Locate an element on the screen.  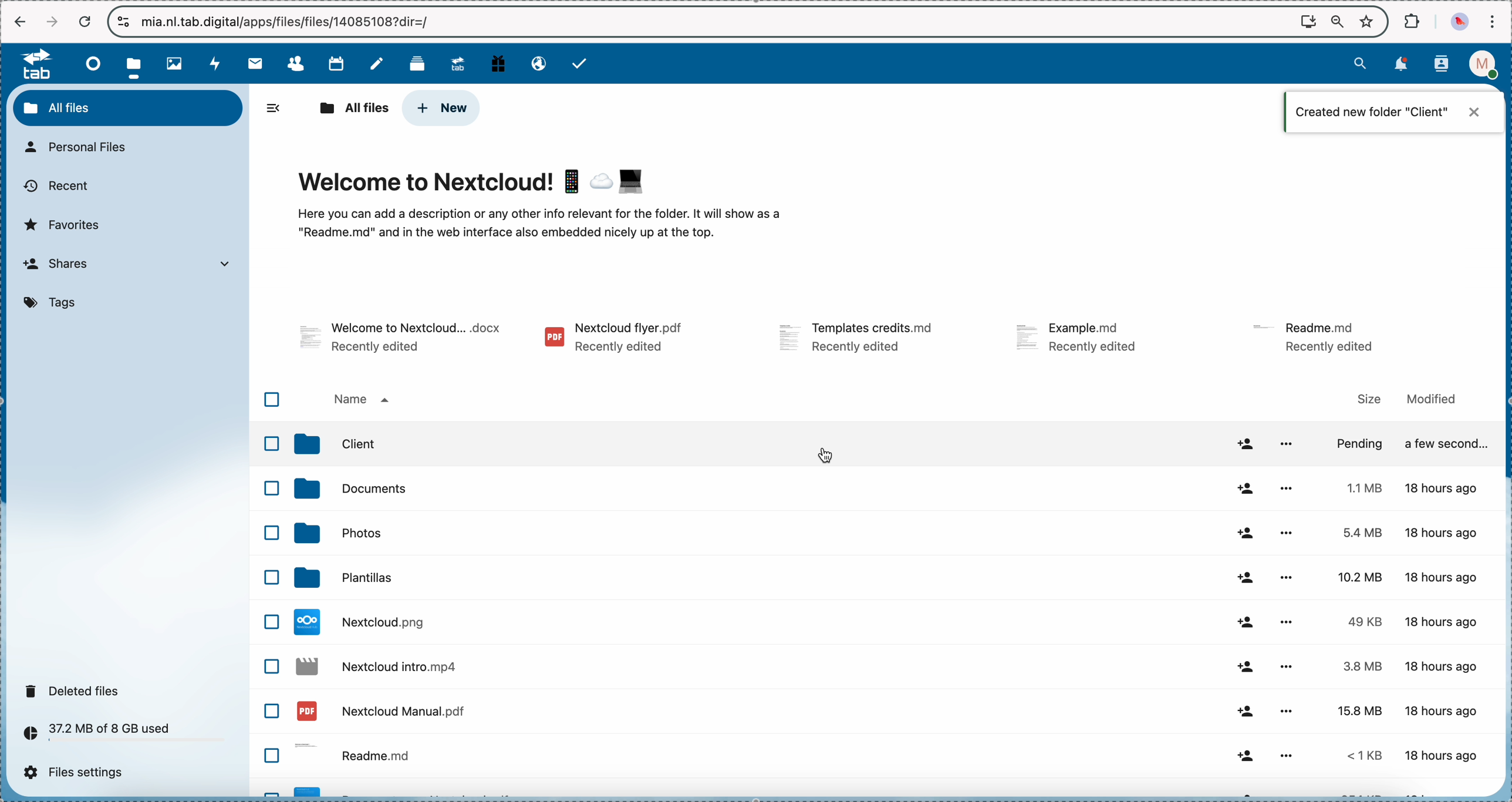
hide side bar is located at coordinates (274, 108).